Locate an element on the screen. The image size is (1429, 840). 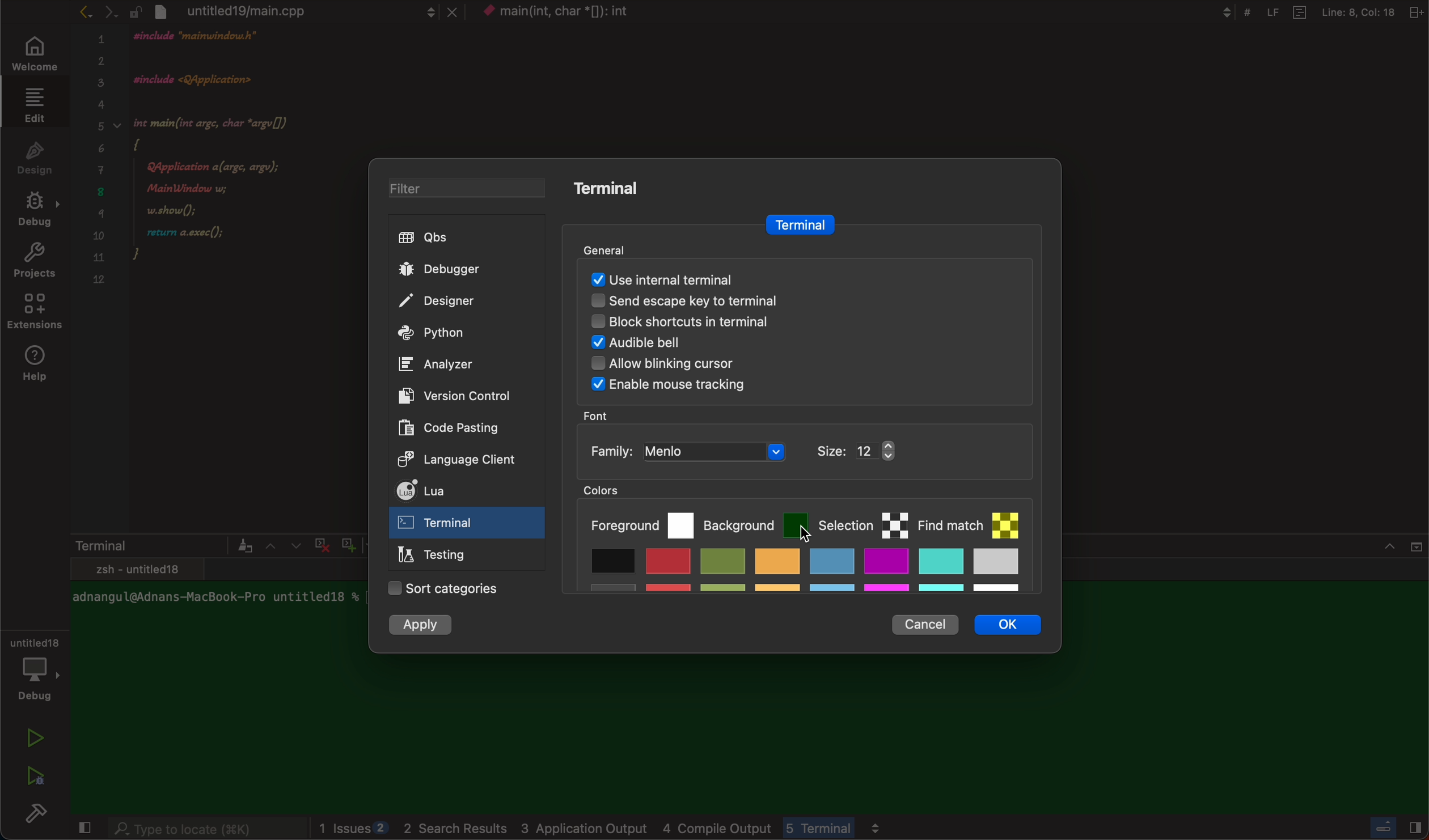
file name is located at coordinates (576, 14).